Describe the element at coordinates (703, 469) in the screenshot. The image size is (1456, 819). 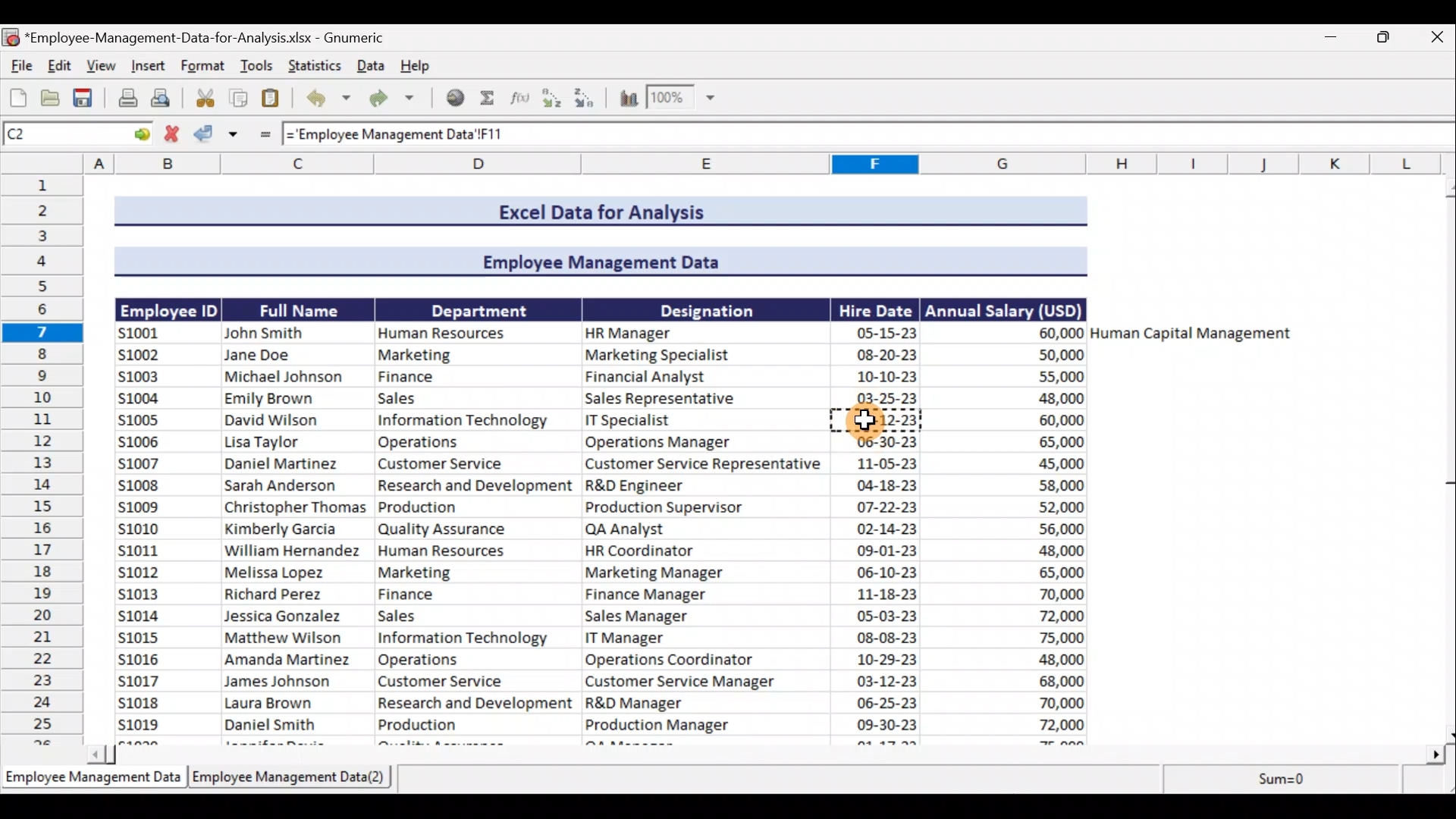
I see `Data` at that location.